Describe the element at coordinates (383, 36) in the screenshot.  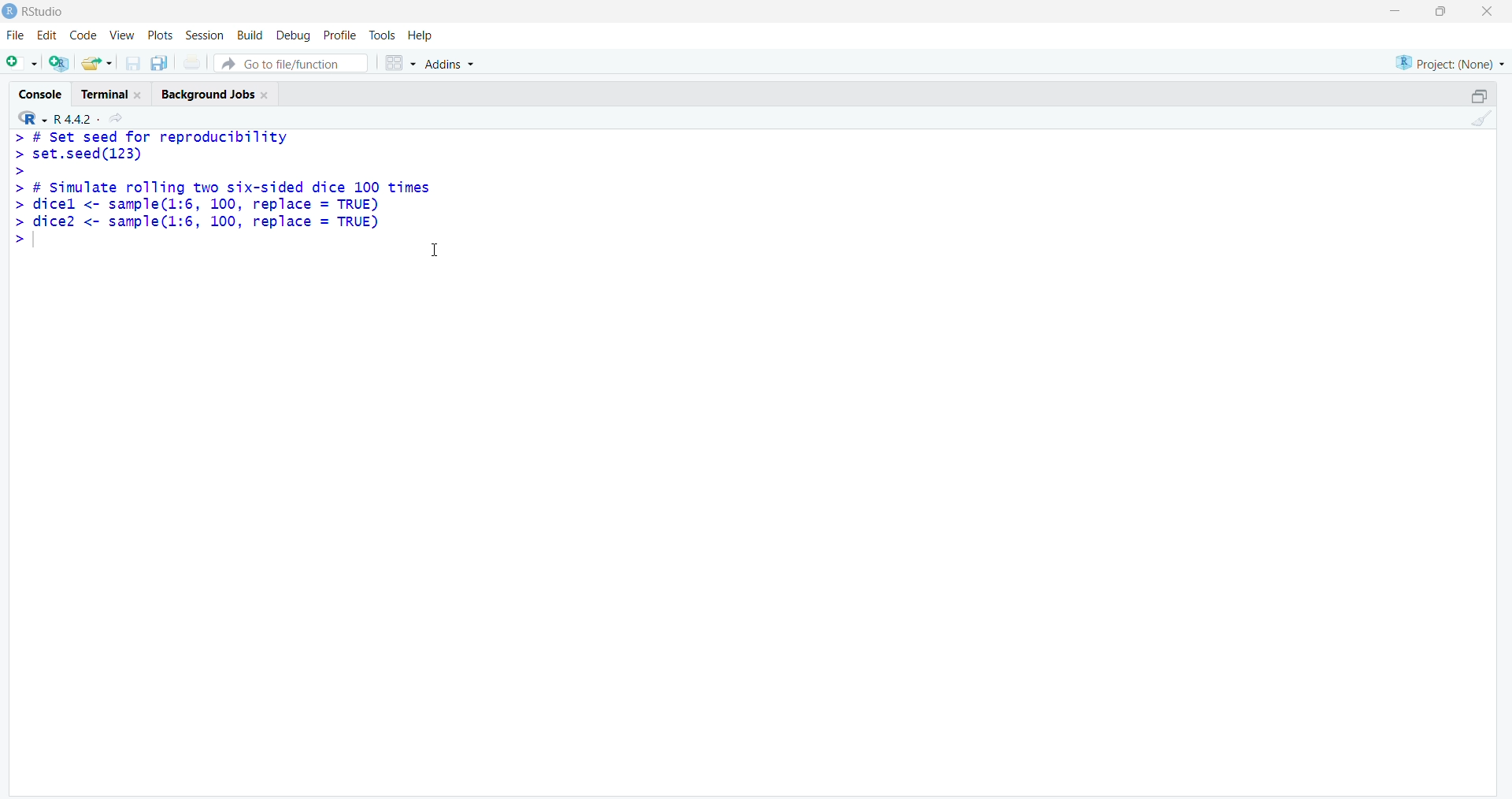
I see `tools` at that location.